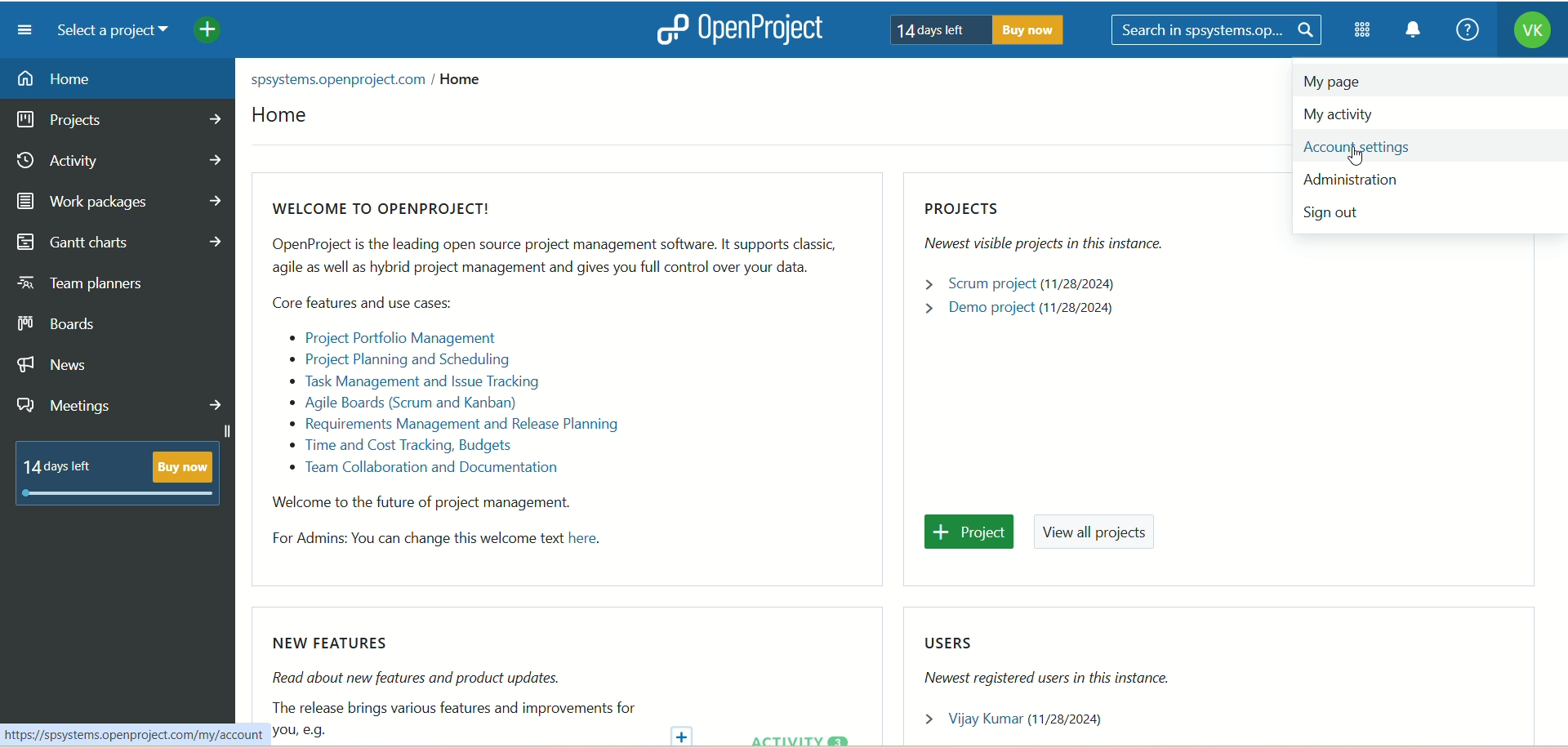  Describe the element at coordinates (1025, 721) in the screenshot. I see `user` at that location.